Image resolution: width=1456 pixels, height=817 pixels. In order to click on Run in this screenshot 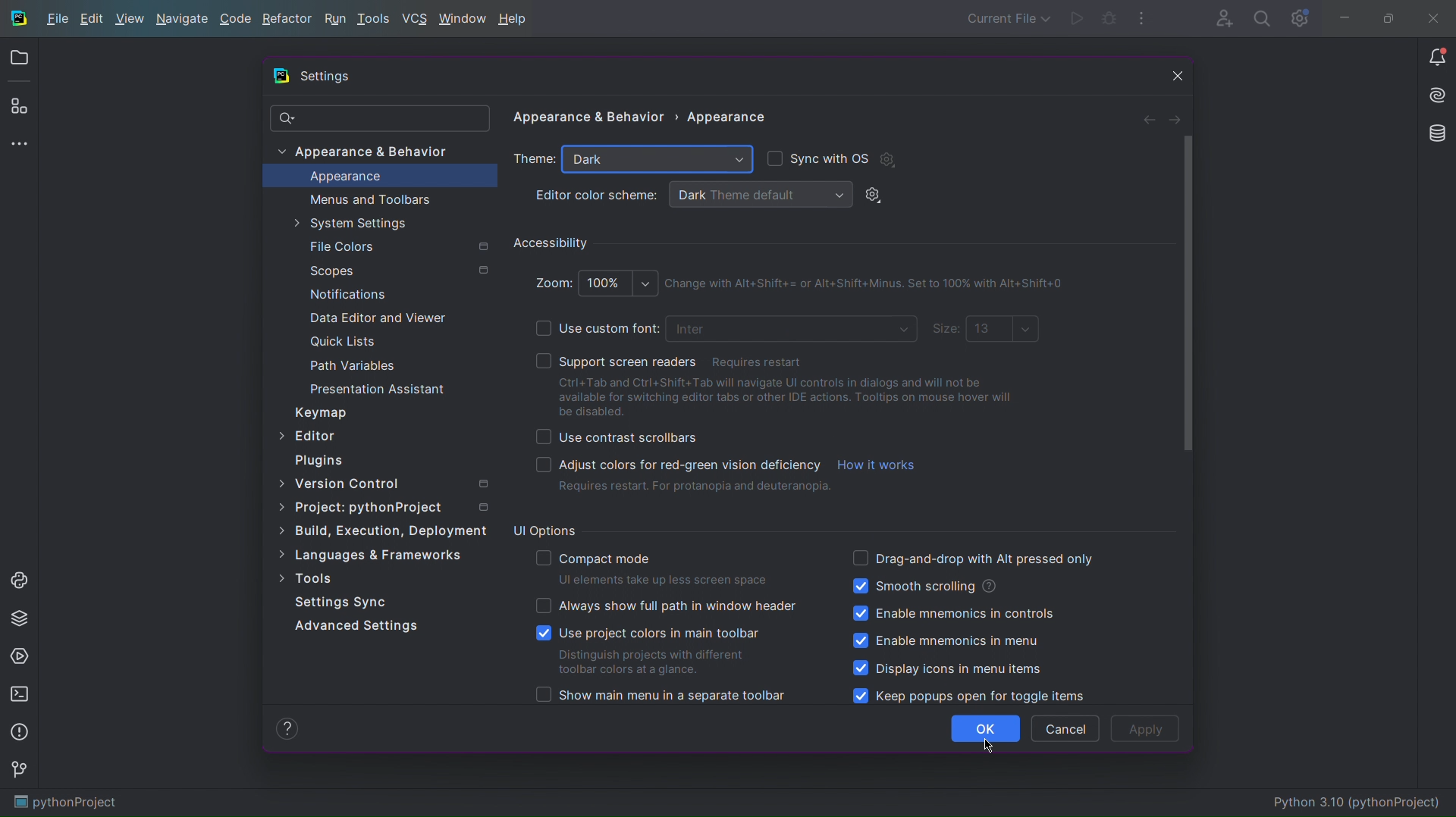, I will do `click(1079, 18)`.